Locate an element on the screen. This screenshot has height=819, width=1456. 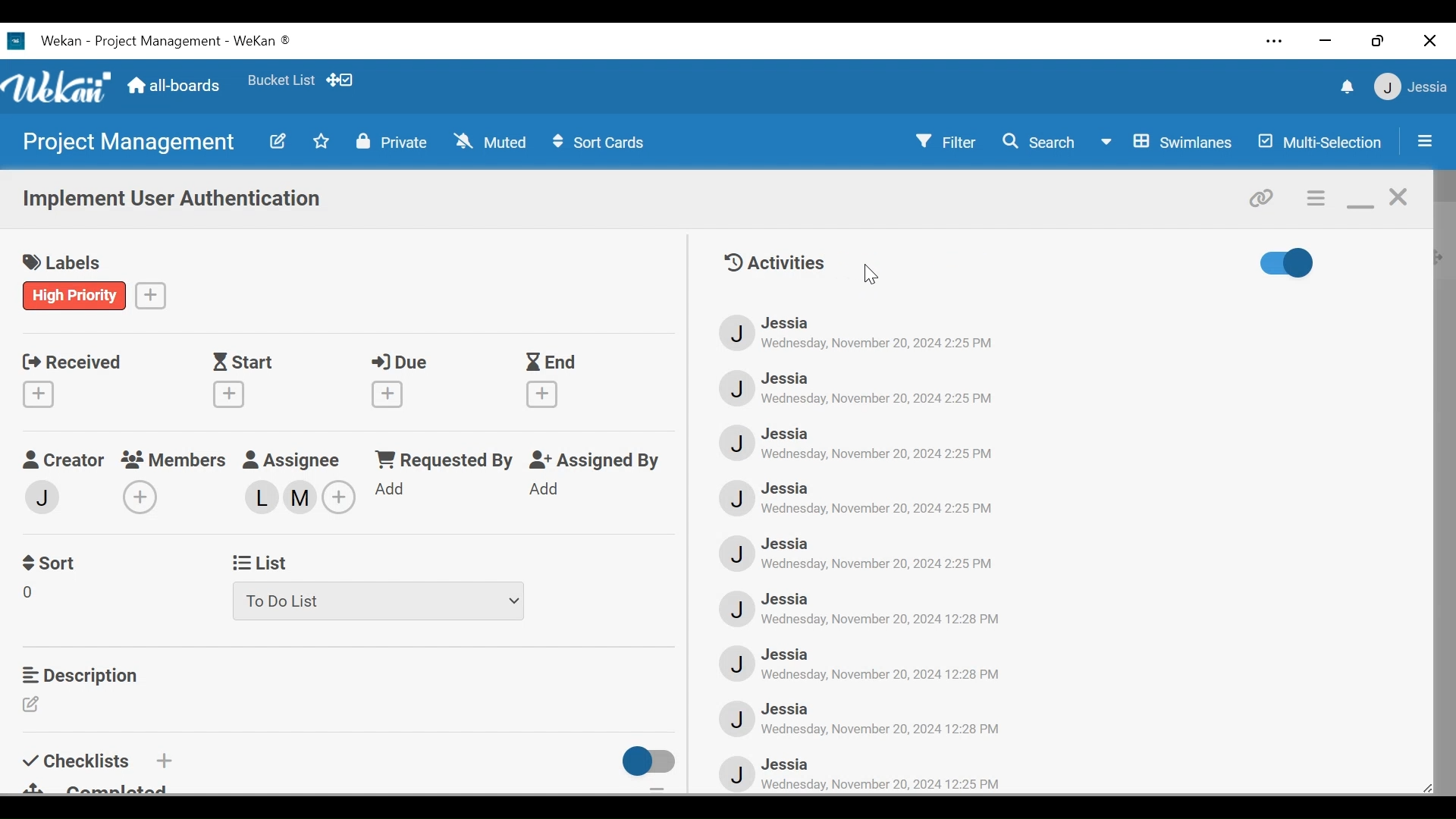
End Date is located at coordinates (557, 362).